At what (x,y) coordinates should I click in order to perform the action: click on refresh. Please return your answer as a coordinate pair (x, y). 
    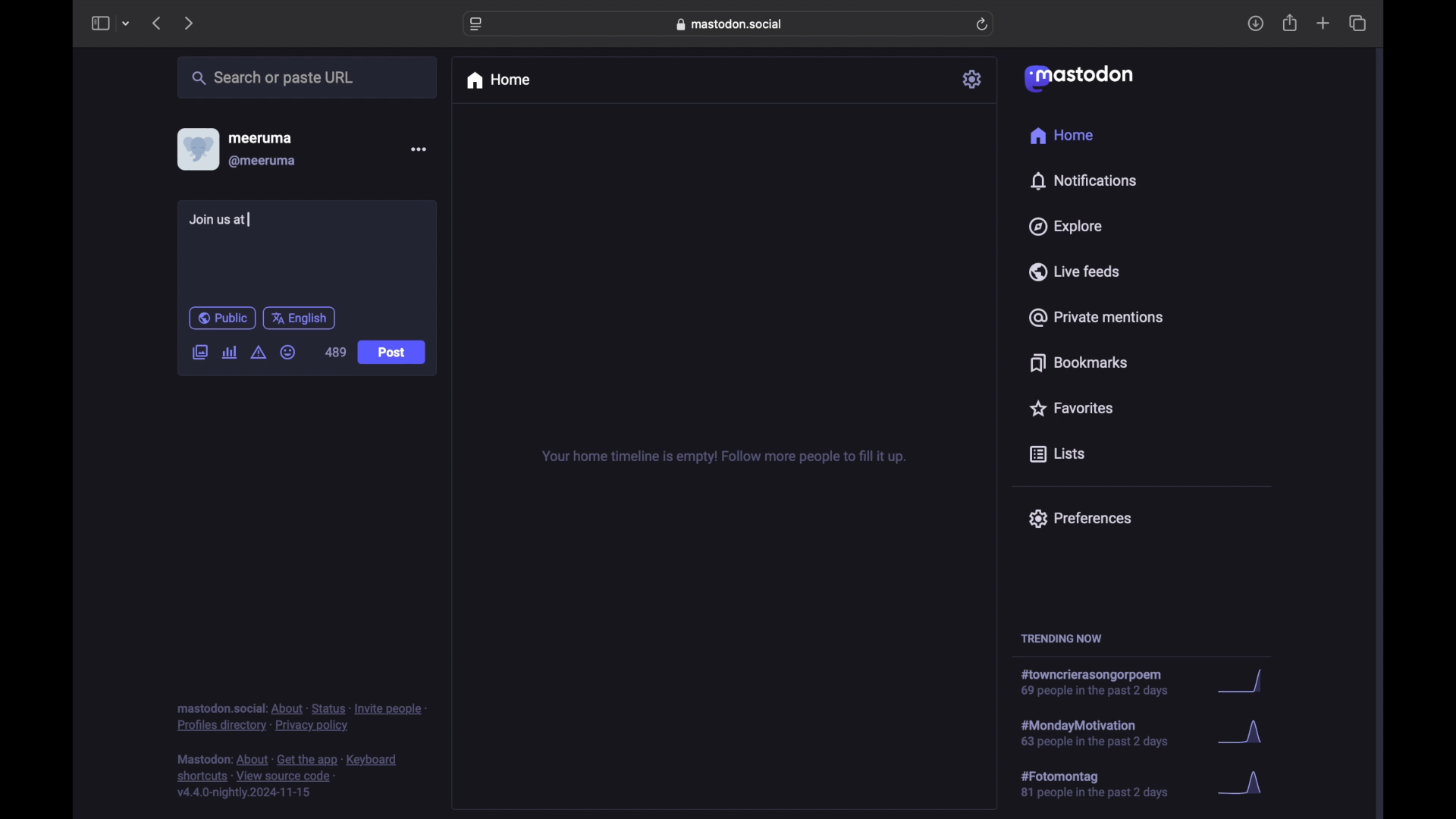
    Looking at the image, I should click on (984, 25).